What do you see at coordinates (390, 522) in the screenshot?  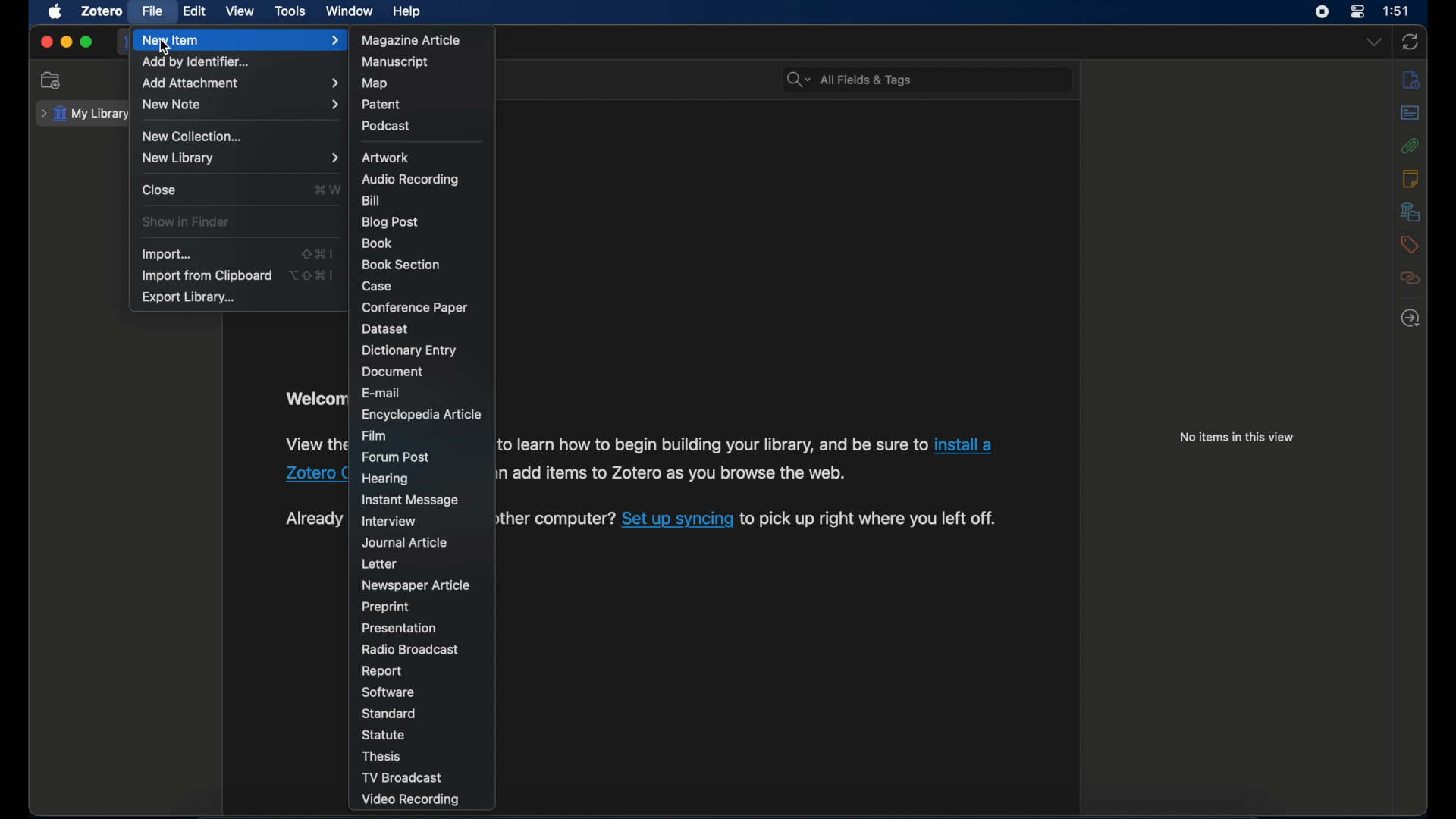 I see `interview` at bounding box center [390, 522].